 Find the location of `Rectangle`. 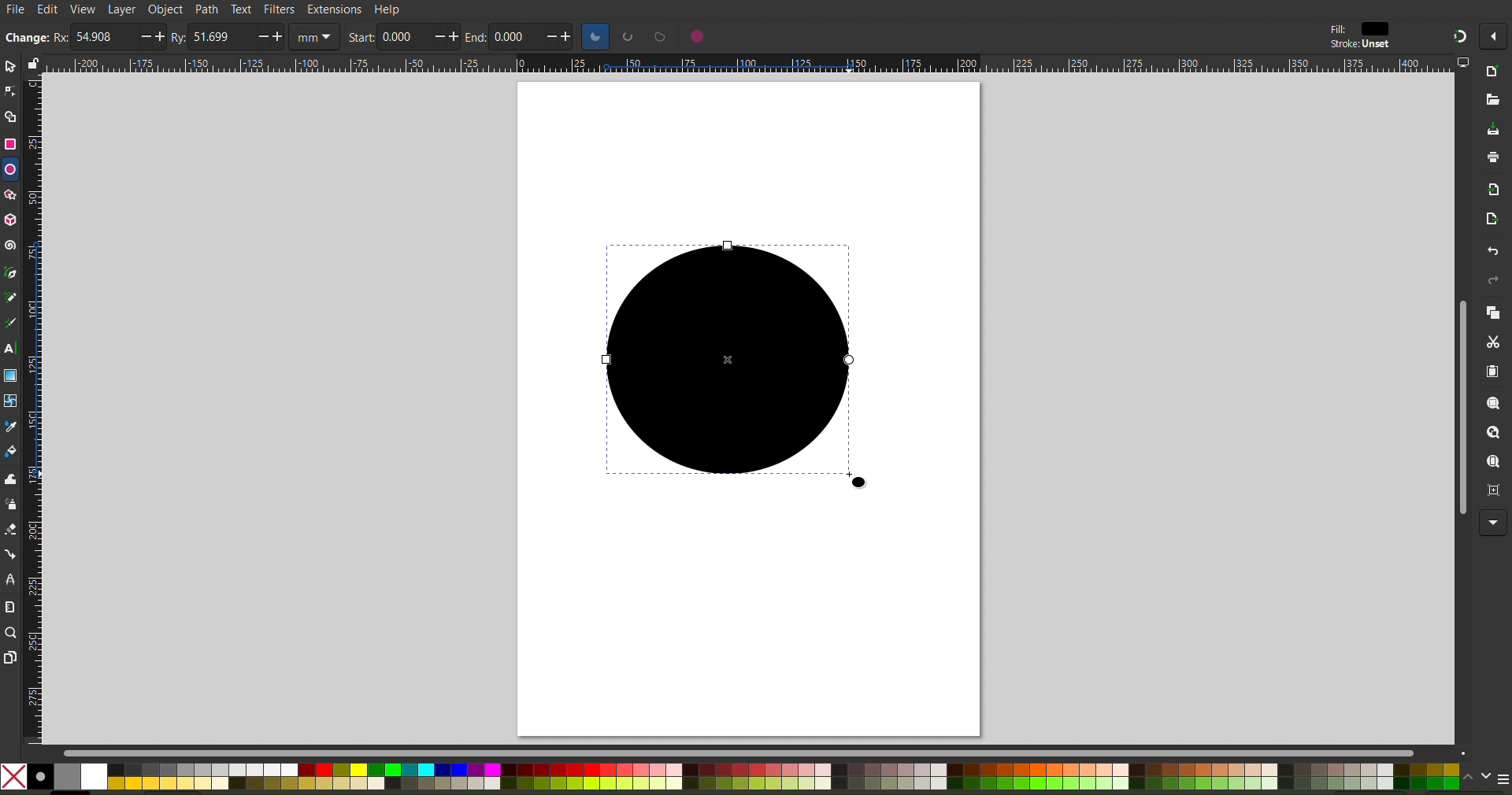

Rectangle is located at coordinates (11, 144).